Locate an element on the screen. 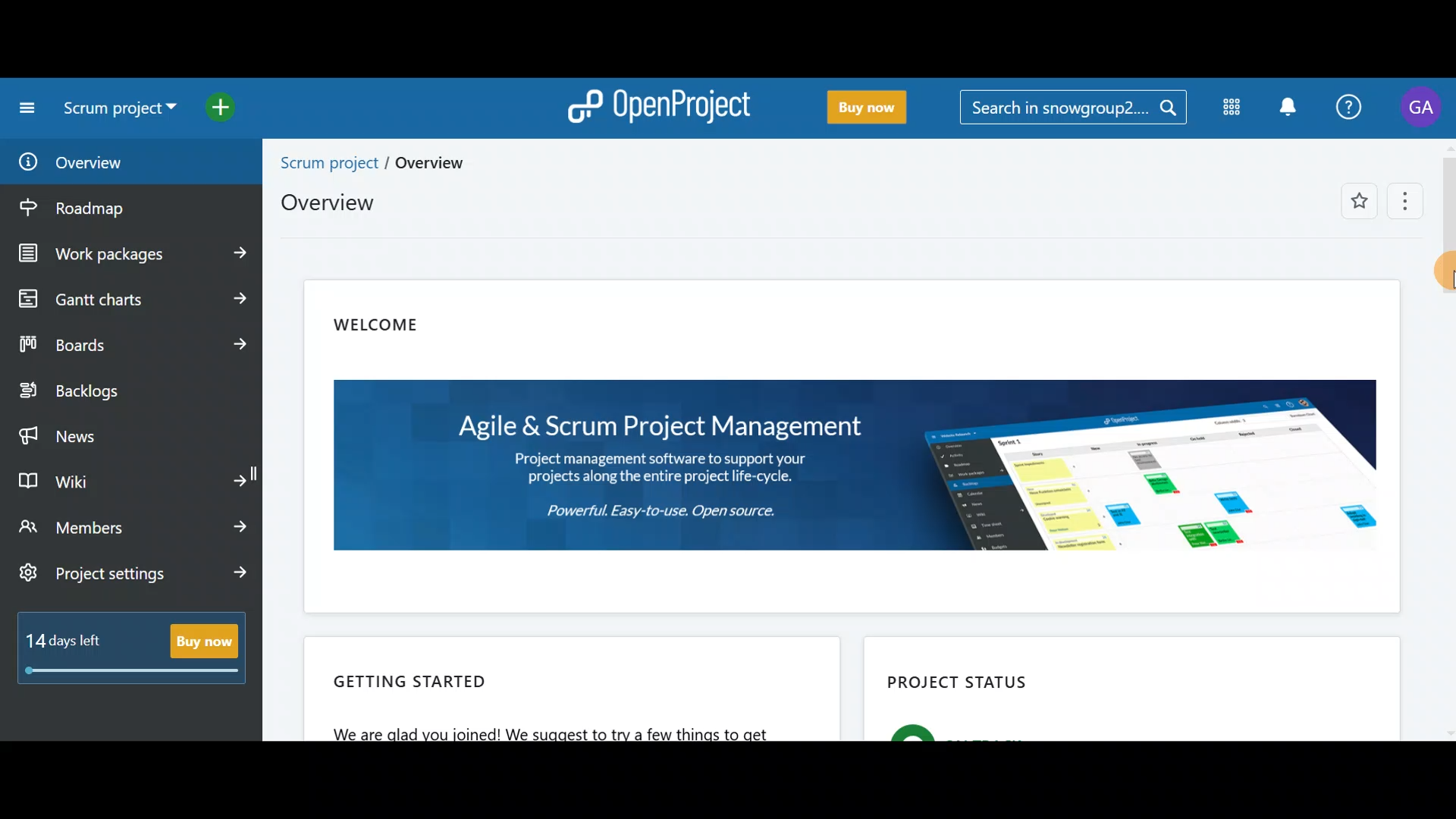 The width and height of the screenshot is (1456, 819). Backlogs is located at coordinates (118, 392).